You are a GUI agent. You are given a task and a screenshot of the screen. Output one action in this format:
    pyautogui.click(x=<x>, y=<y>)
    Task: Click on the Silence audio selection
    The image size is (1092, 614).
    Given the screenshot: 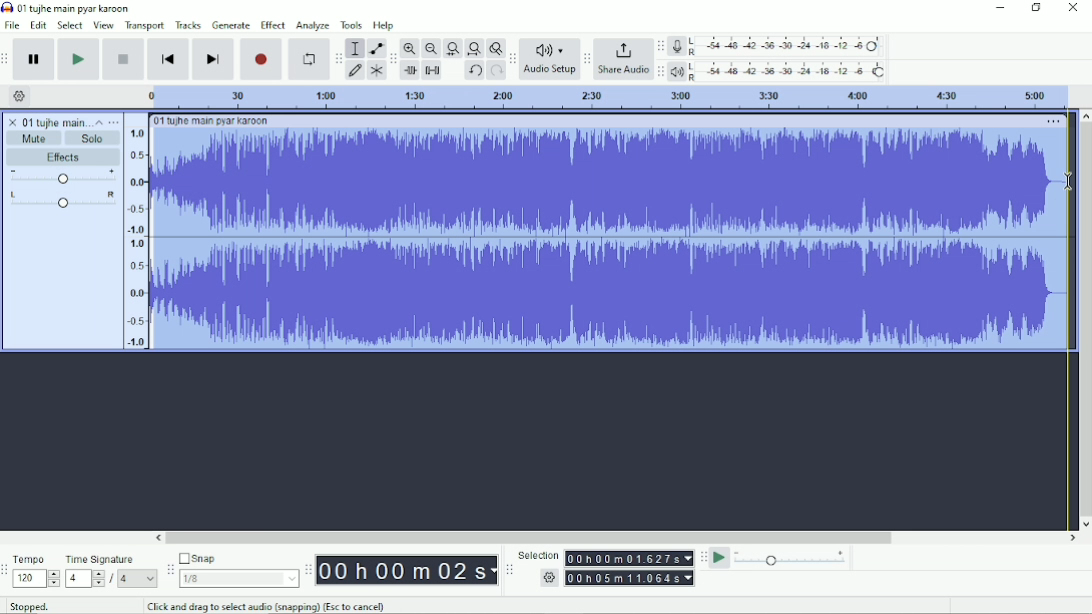 What is the action you would take?
    pyautogui.click(x=433, y=71)
    